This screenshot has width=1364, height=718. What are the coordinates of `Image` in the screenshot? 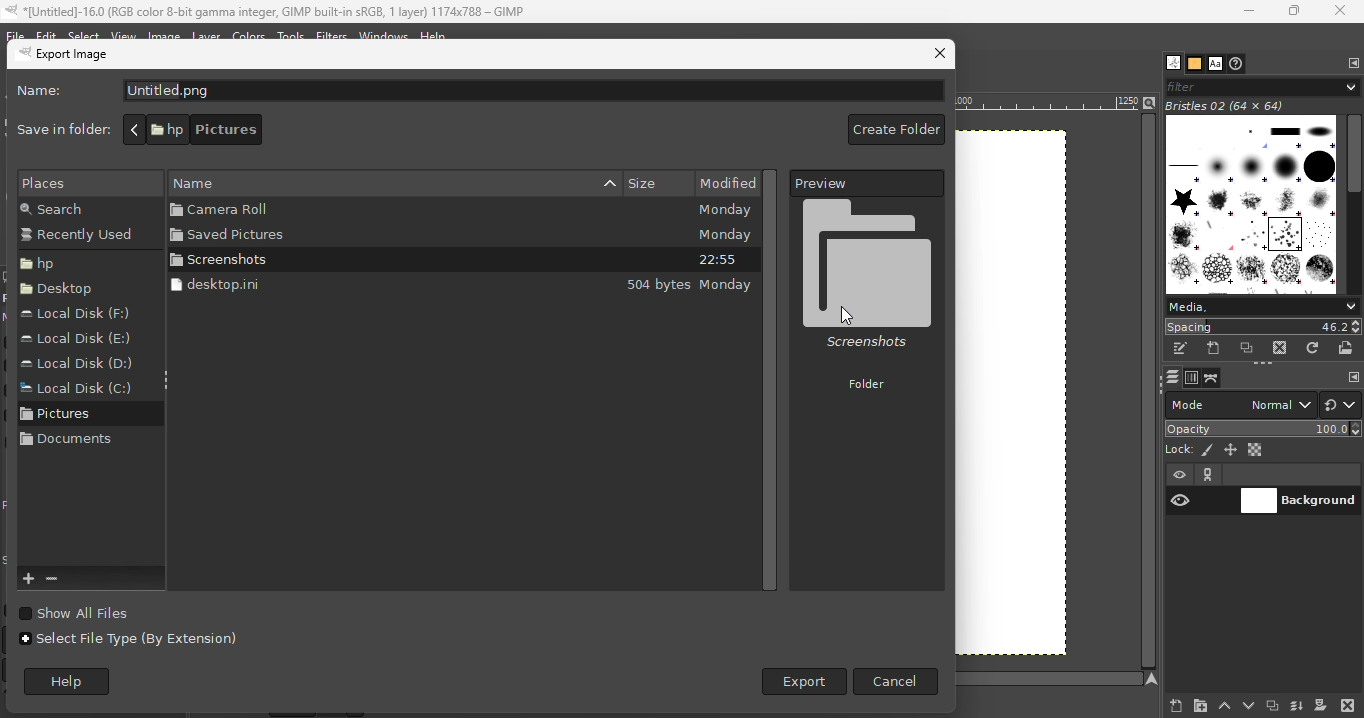 It's located at (170, 33).